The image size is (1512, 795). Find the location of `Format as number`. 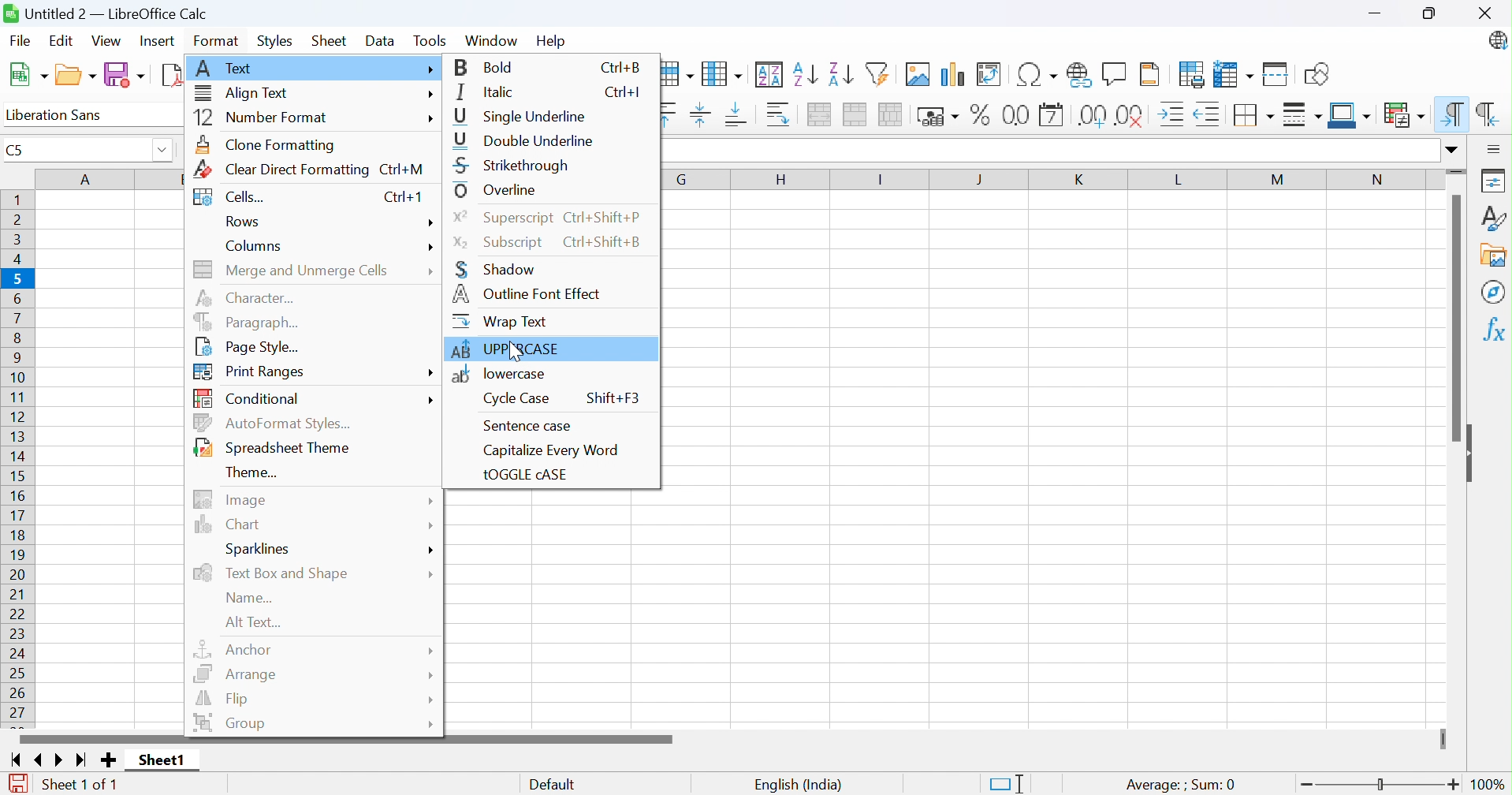

Format as number is located at coordinates (1019, 116).